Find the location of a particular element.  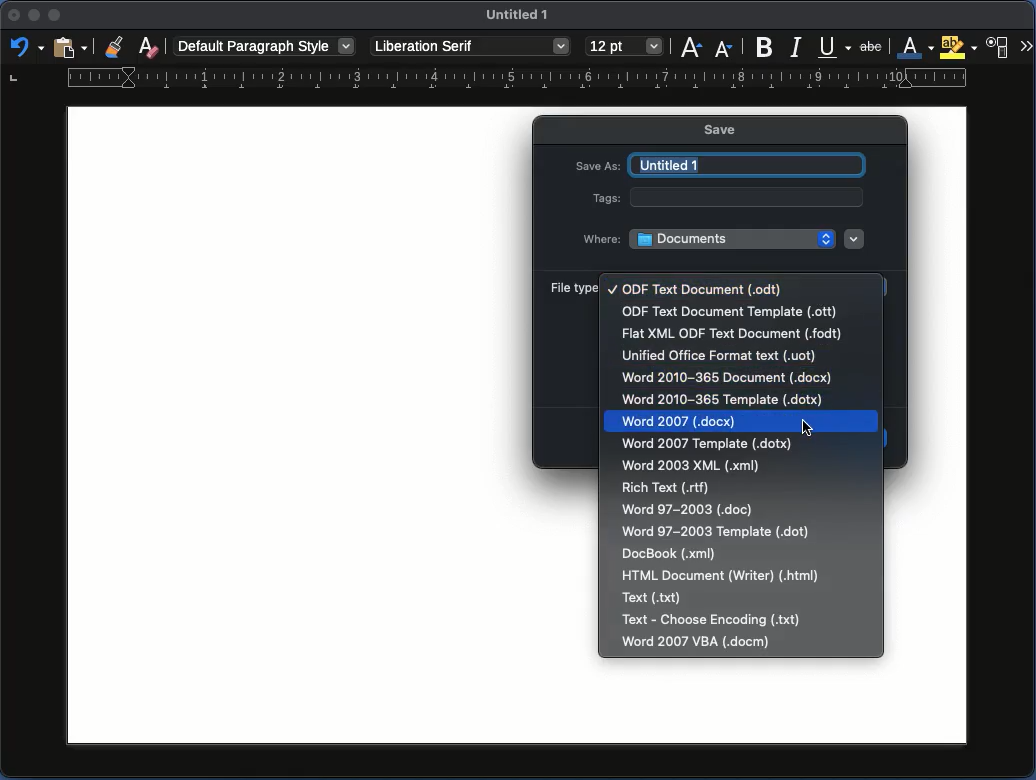

Tags is located at coordinates (606, 197).